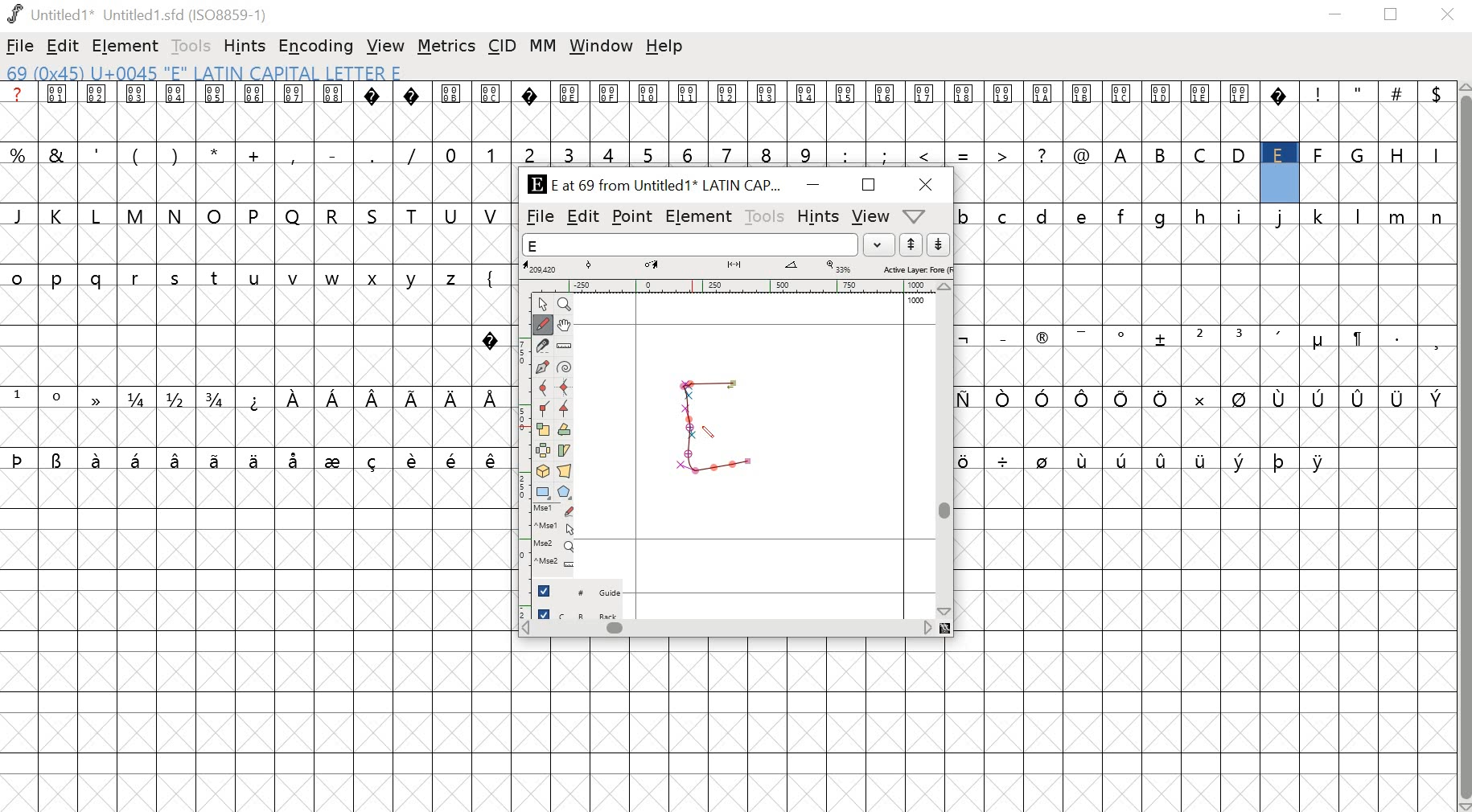 The image size is (1472, 812). Describe the element at coordinates (191, 46) in the screenshot. I see `tools` at that location.